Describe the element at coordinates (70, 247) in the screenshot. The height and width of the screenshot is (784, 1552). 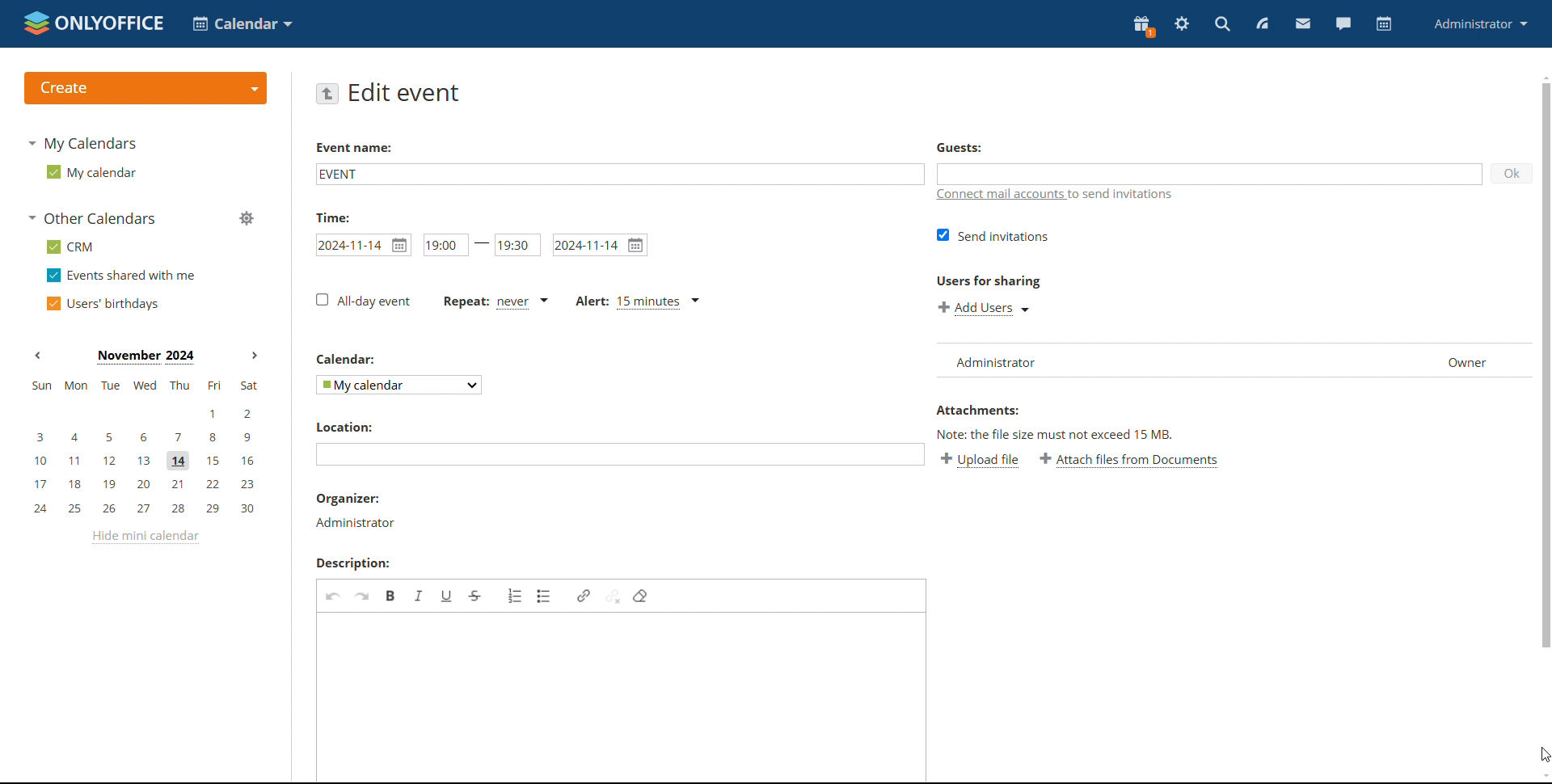
I see `crm` at that location.